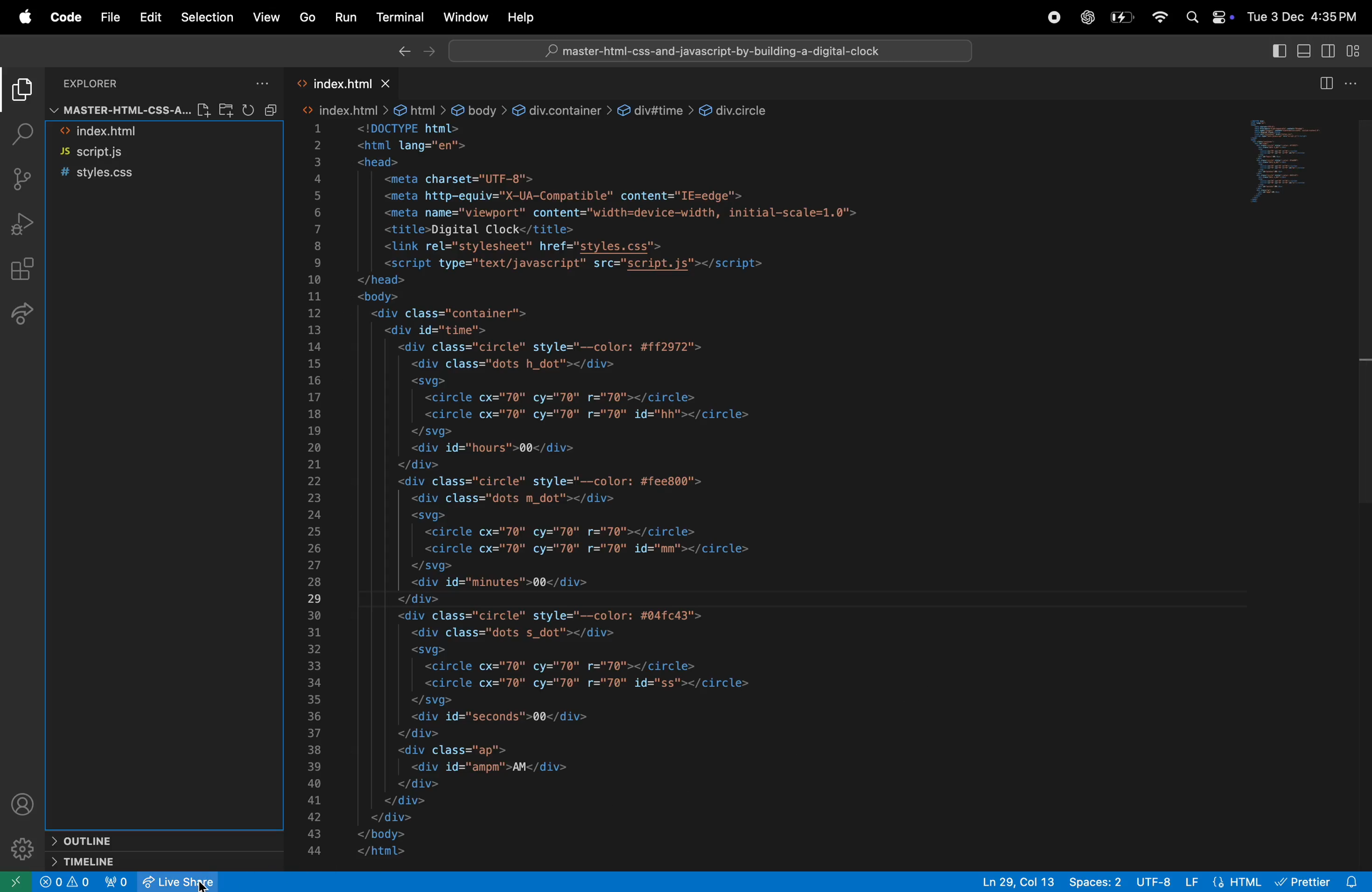 The image size is (1372, 892). I want to click on options, so click(259, 80).